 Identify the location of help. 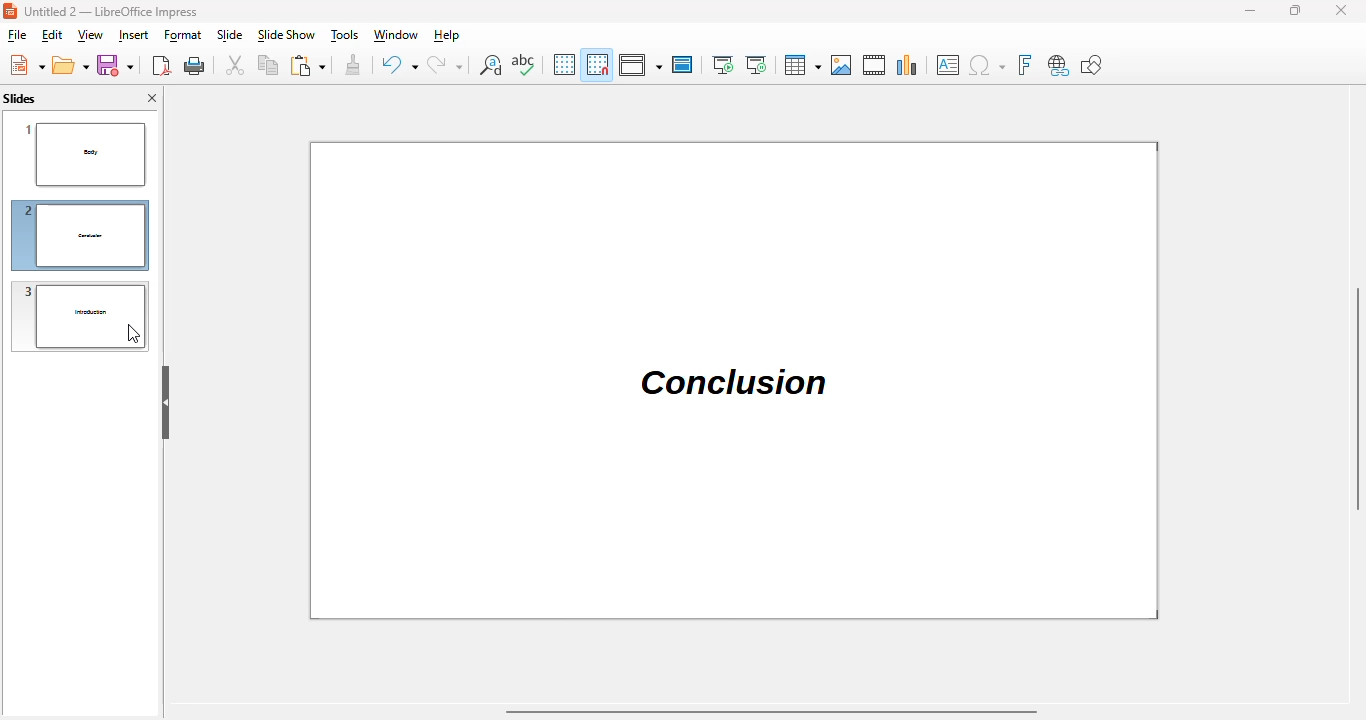
(446, 35).